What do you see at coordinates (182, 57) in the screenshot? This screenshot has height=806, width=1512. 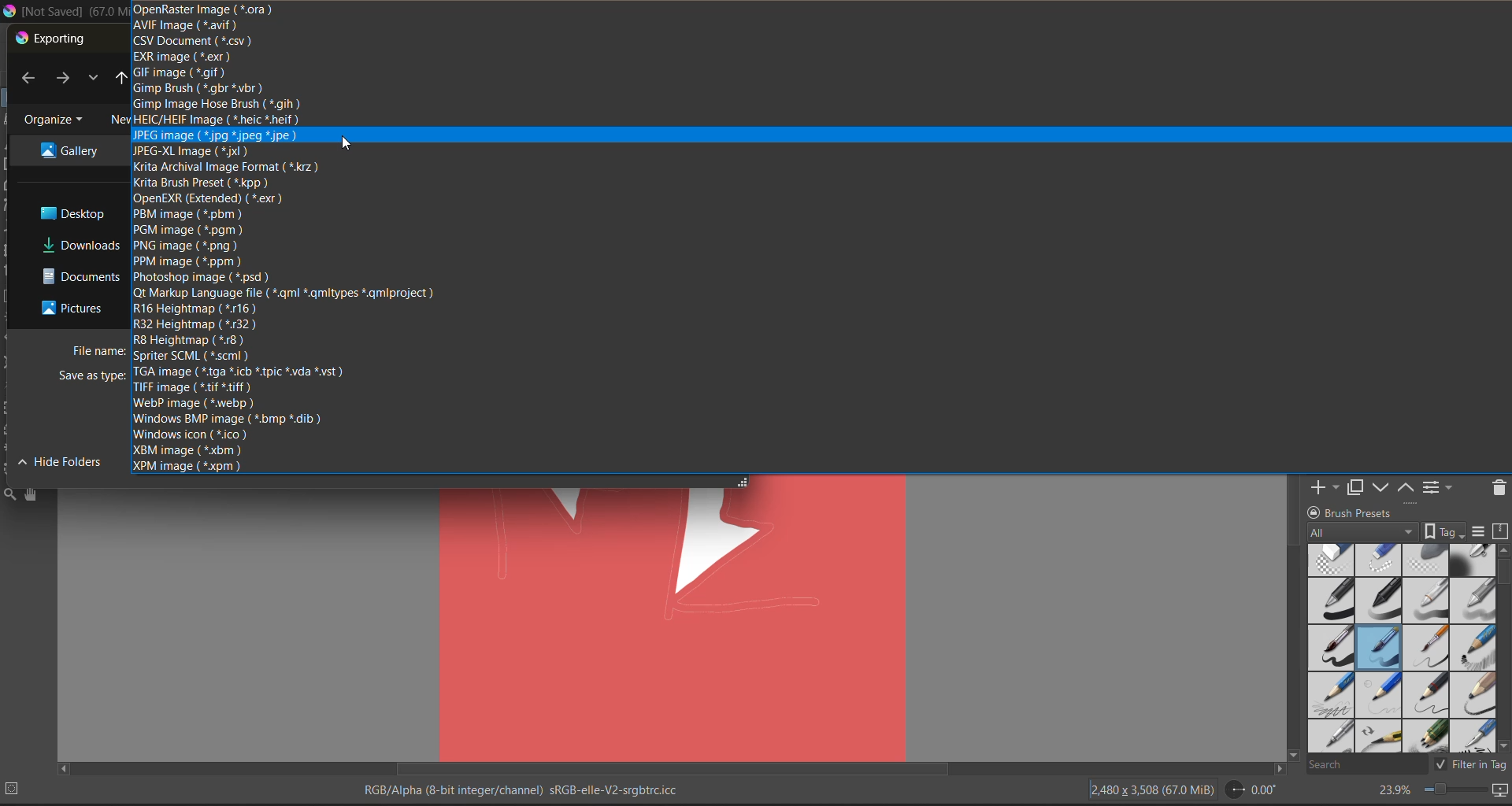 I see `exr image` at bounding box center [182, 57].